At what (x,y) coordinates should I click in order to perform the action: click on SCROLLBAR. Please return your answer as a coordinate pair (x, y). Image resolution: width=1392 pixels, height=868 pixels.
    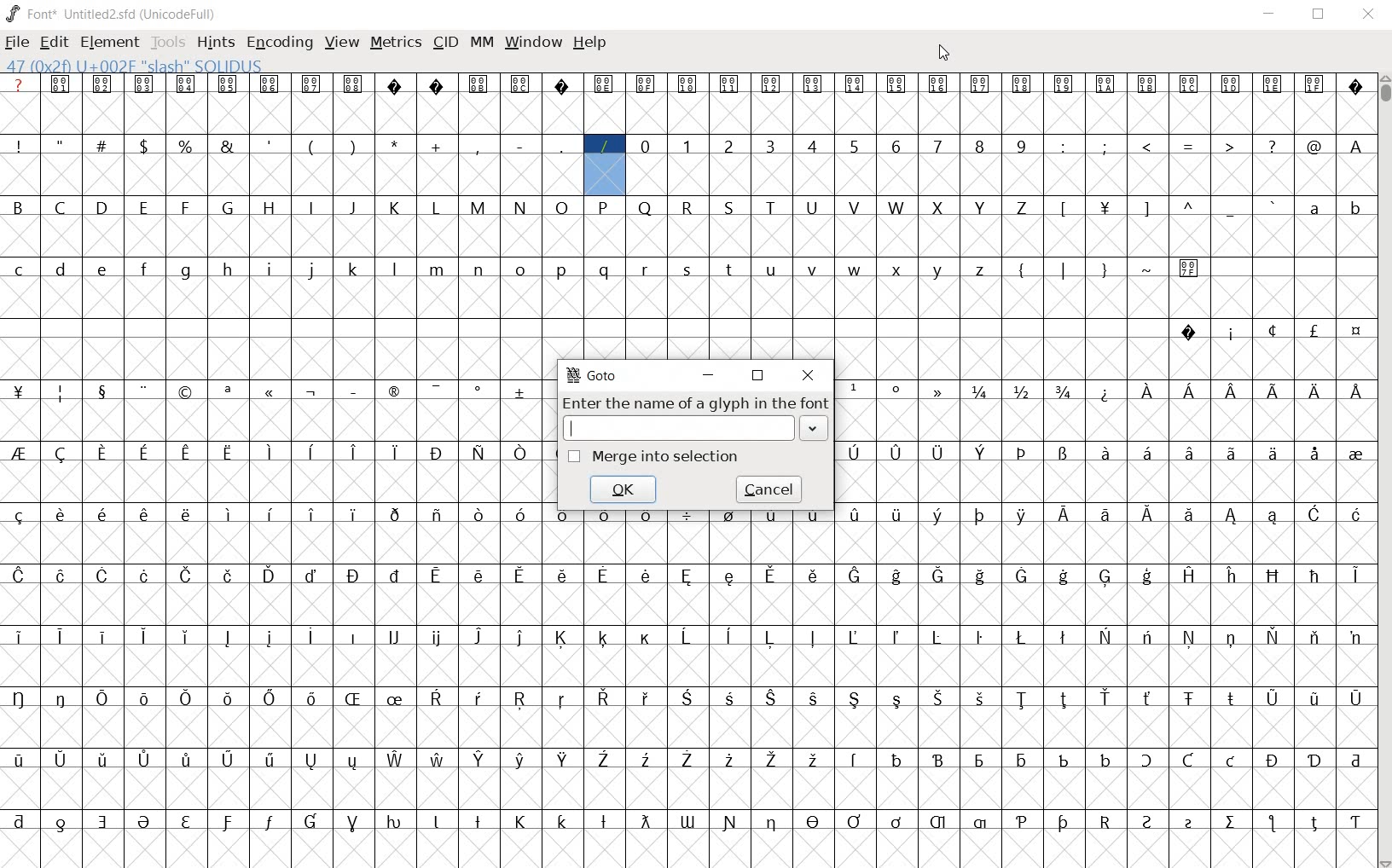
    Looking at the image, I should click on (1383, 472).